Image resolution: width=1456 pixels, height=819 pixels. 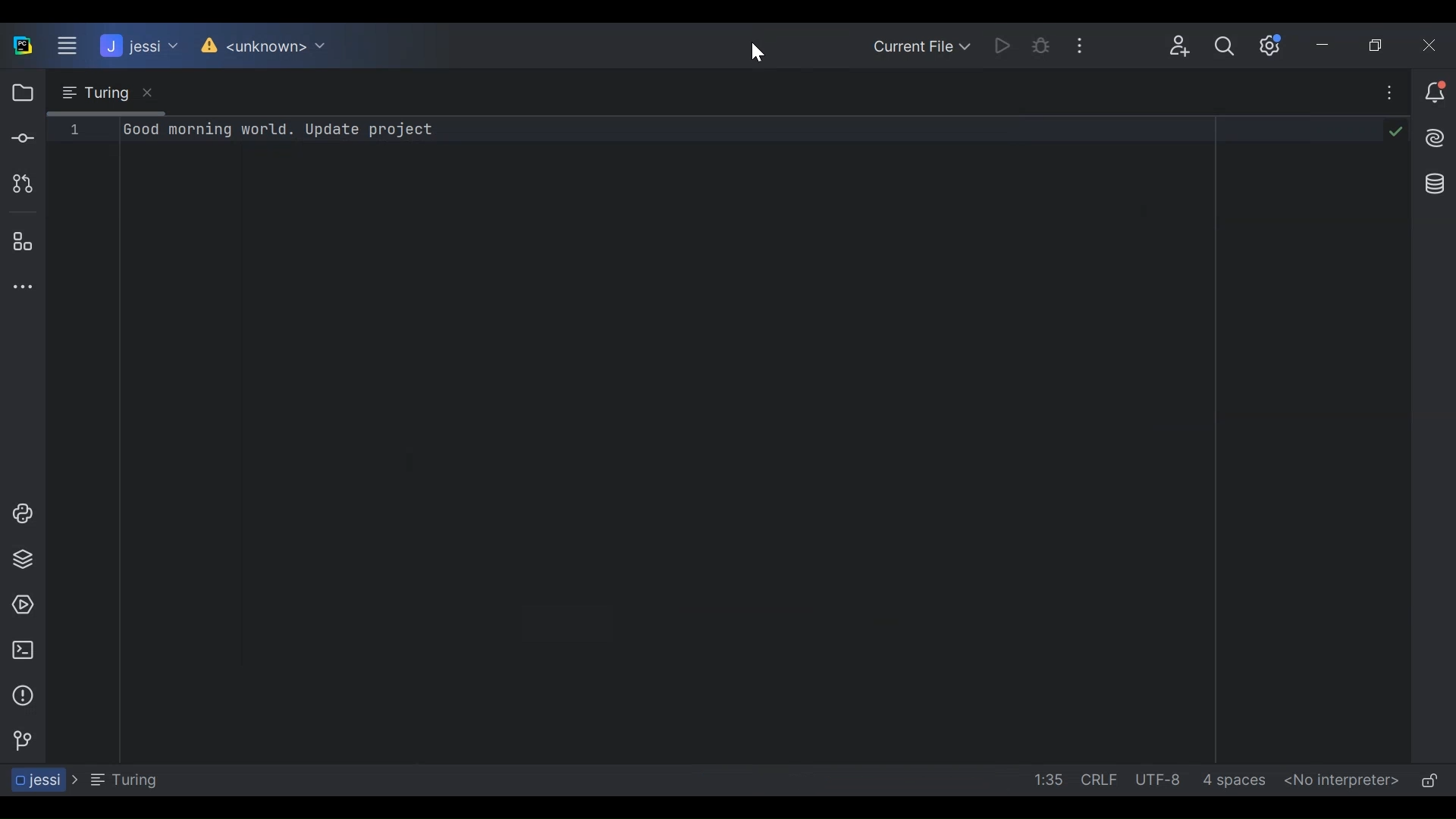 What do you see at coordinates (1392, 130) in the screenshot?
I see `saved` at bounding box center [1392, 130].